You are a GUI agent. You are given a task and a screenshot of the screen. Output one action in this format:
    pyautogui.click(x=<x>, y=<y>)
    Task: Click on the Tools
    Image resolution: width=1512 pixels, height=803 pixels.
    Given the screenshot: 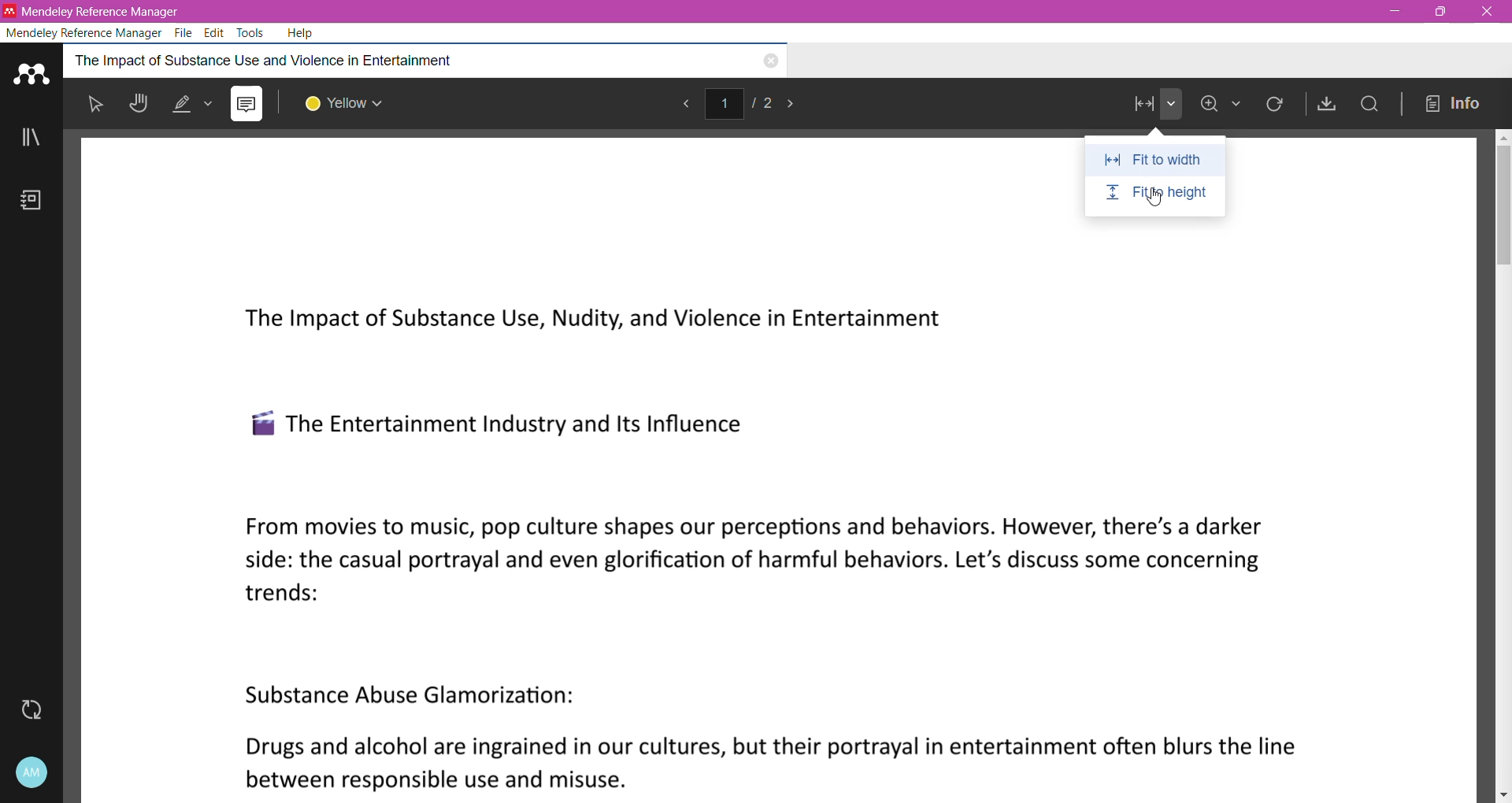 What is the action you would take?
    pyautogui.click(x=252, y=33)
    